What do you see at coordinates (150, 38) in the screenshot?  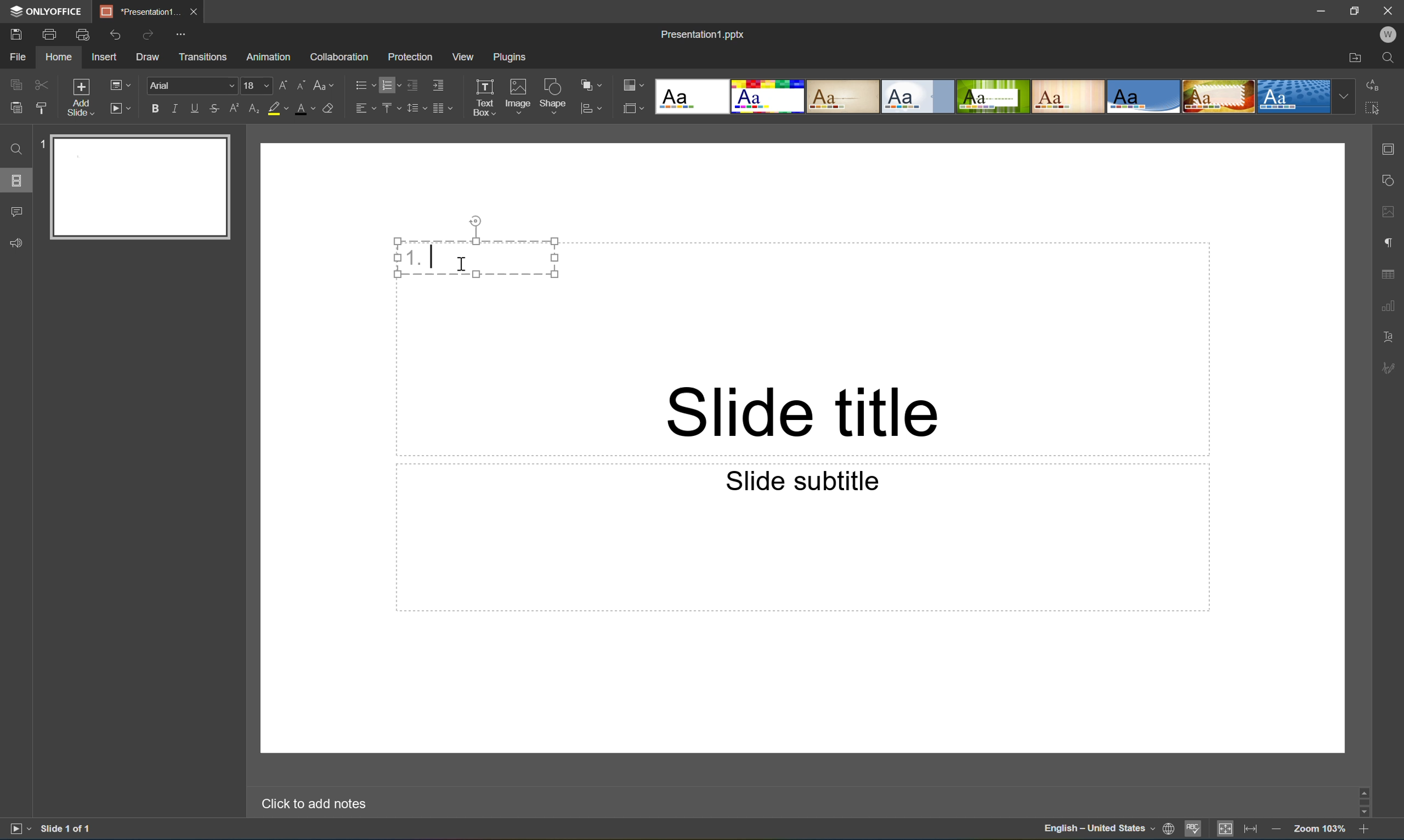 I see `Redo` at bounding box center [150, 38].